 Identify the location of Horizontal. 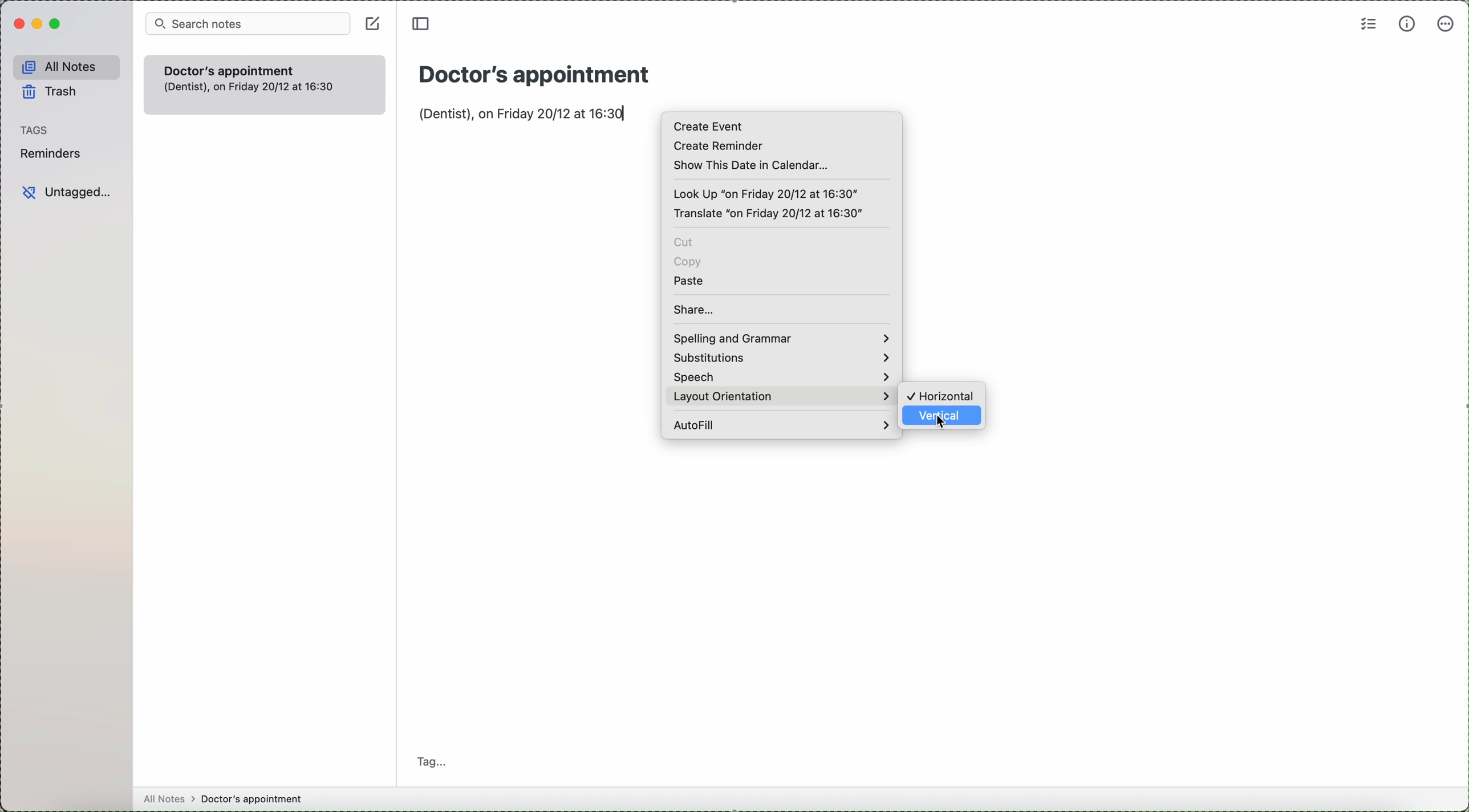
(943, 394).